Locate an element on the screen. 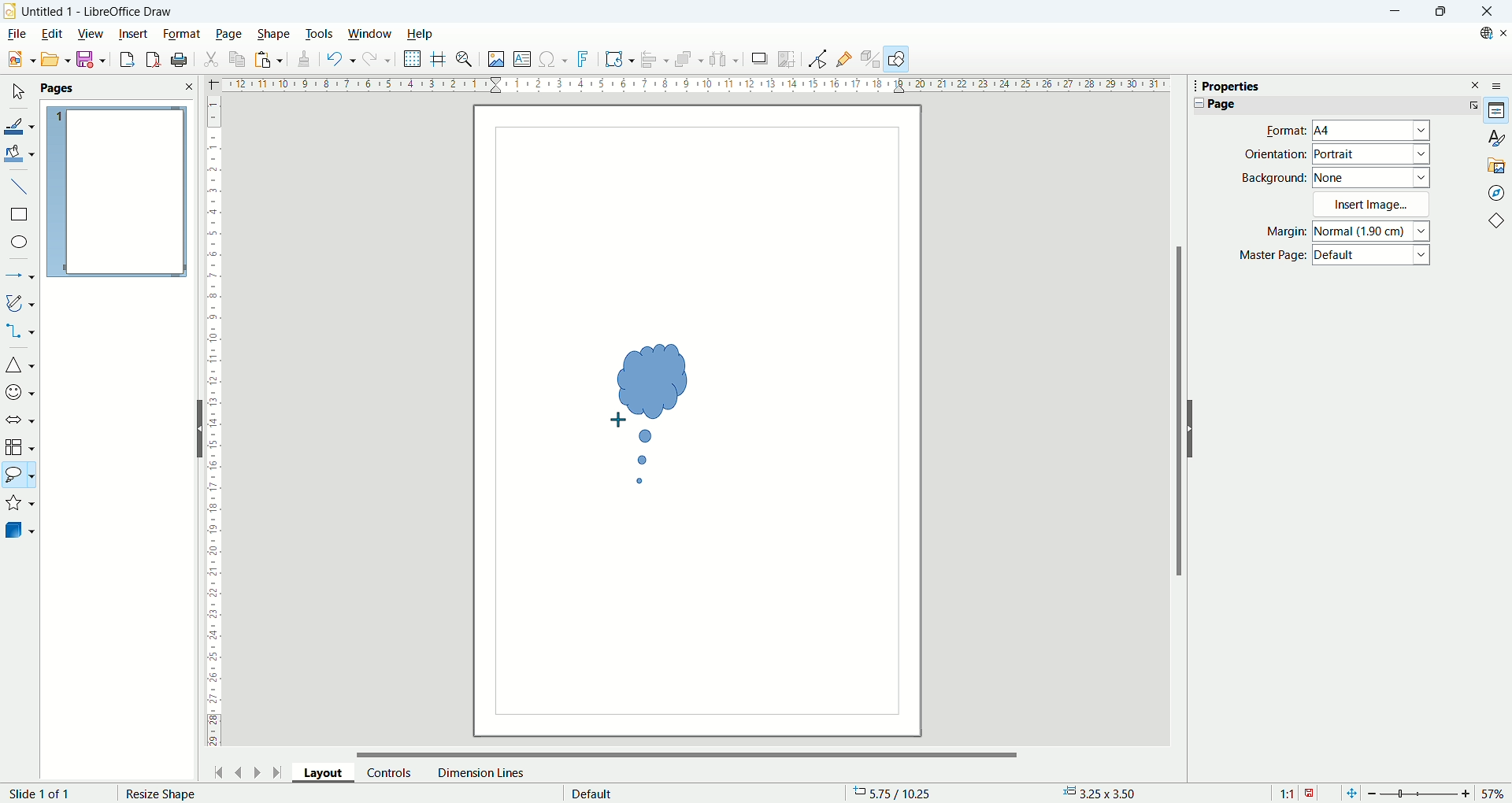 This screenshot has height=803, width=1512. Collapse is located at coordinates (1195, 103).